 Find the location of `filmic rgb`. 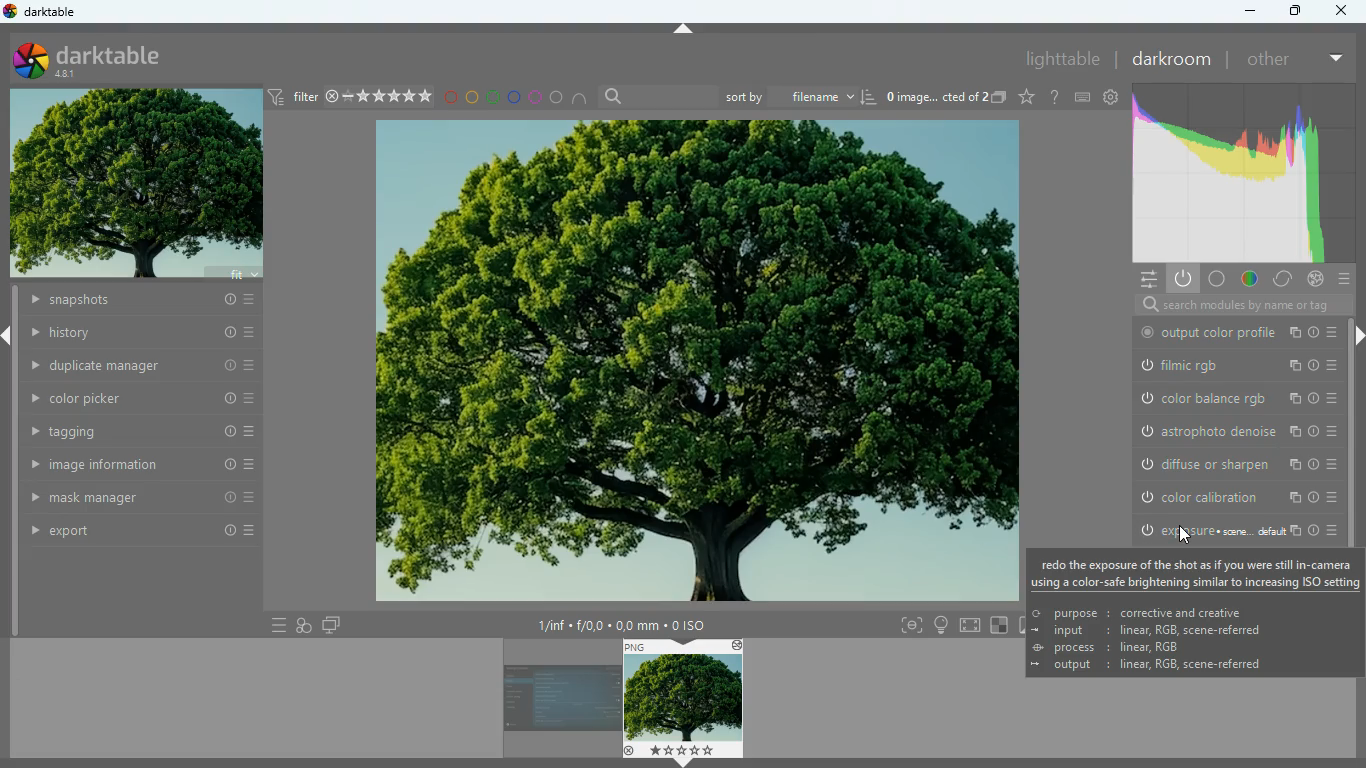

filmic rgb is located at coordinates (1233, 366).